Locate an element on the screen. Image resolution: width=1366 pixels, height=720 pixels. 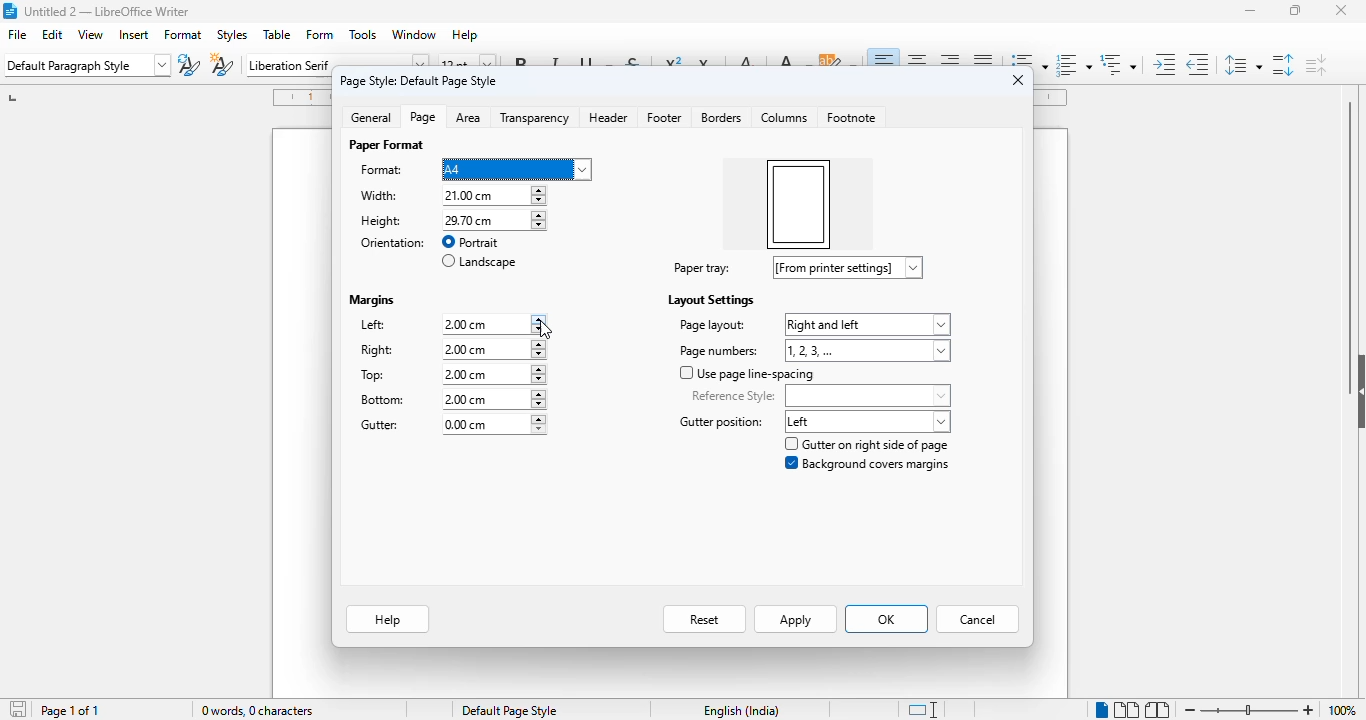
page style: default page style is located at coordinates (418, 80).